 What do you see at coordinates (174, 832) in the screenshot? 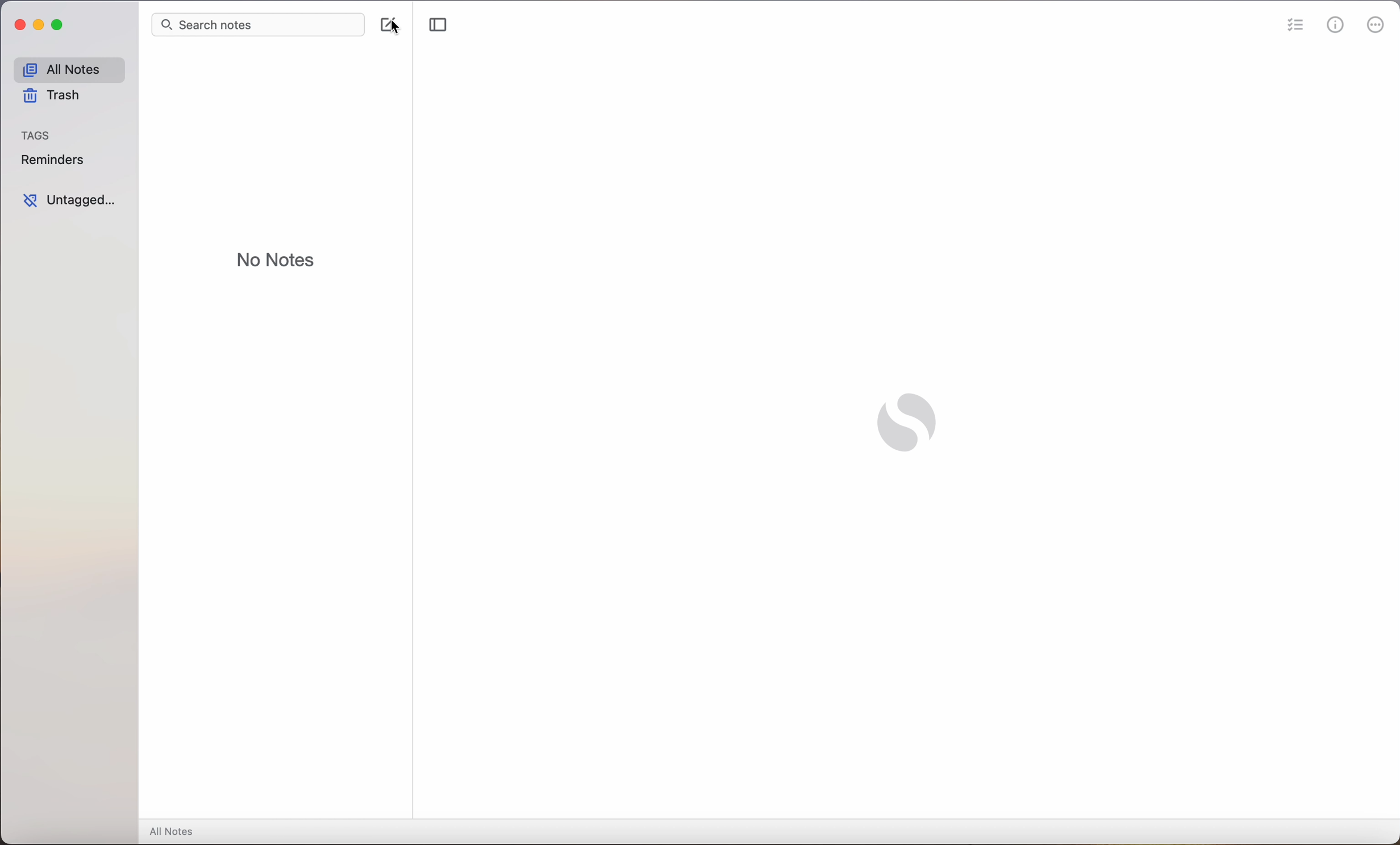
I see `all notes` at bounding box center [174, 832].